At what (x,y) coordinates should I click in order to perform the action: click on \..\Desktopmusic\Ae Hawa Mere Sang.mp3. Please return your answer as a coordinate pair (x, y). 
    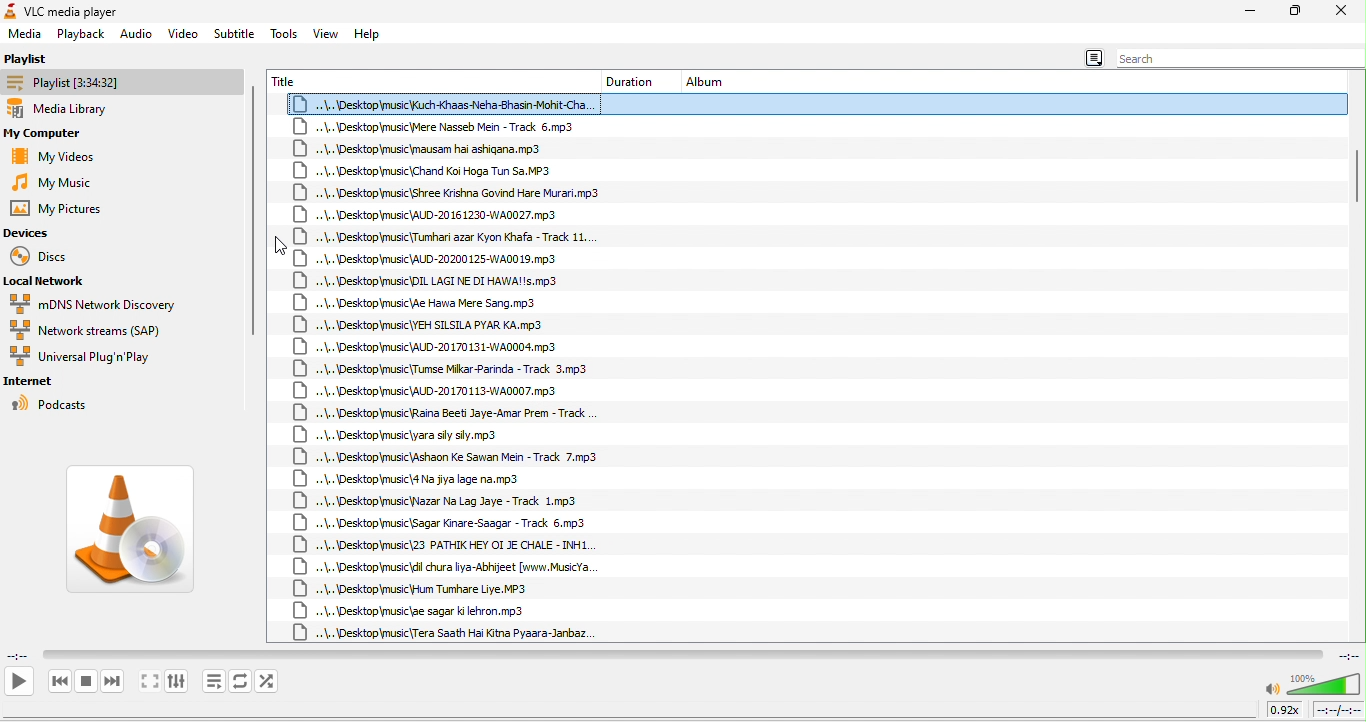
    Looking at the image, I should click on (420, 302).